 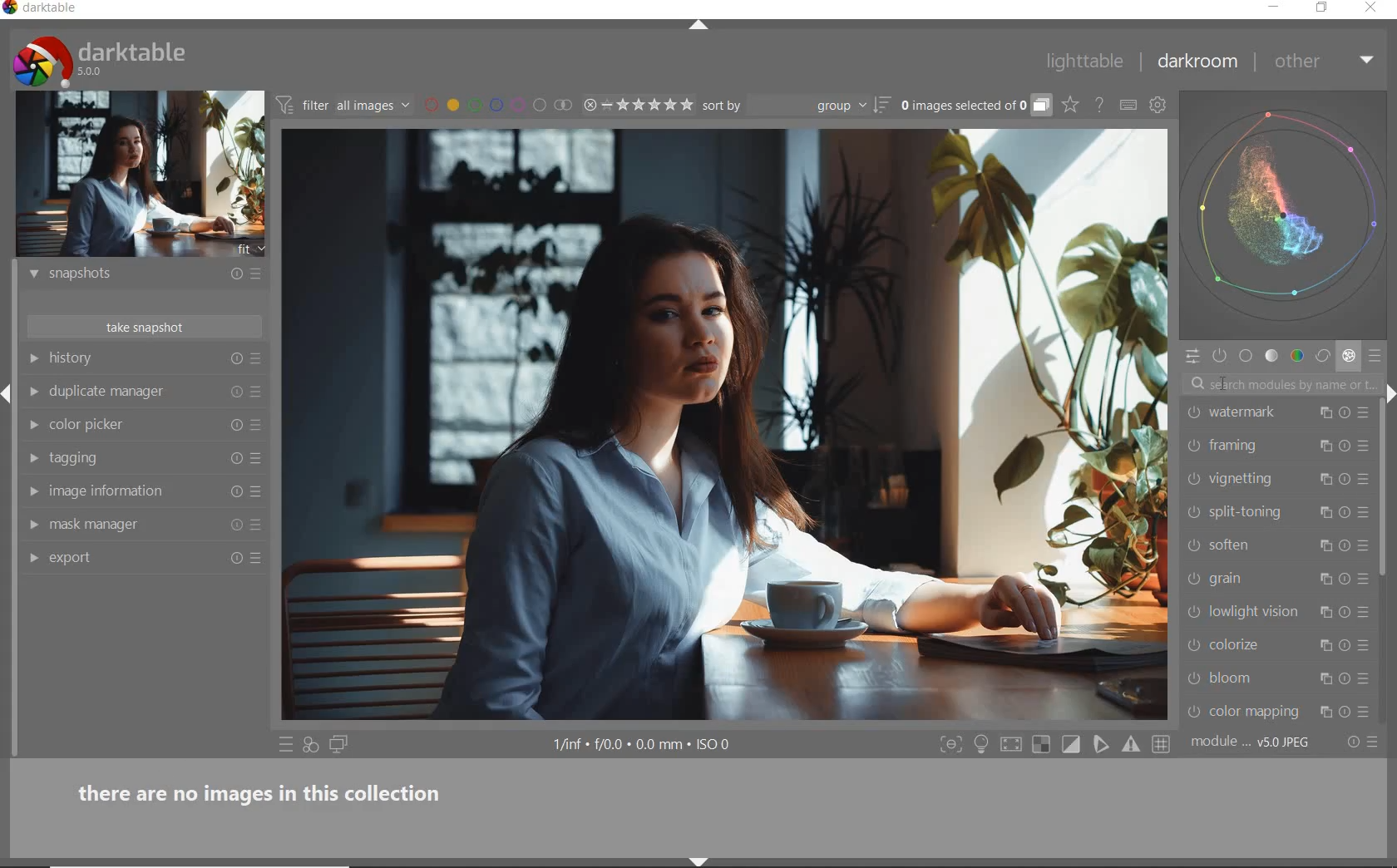 I want to click on reset, so click(x=1345, y=545).